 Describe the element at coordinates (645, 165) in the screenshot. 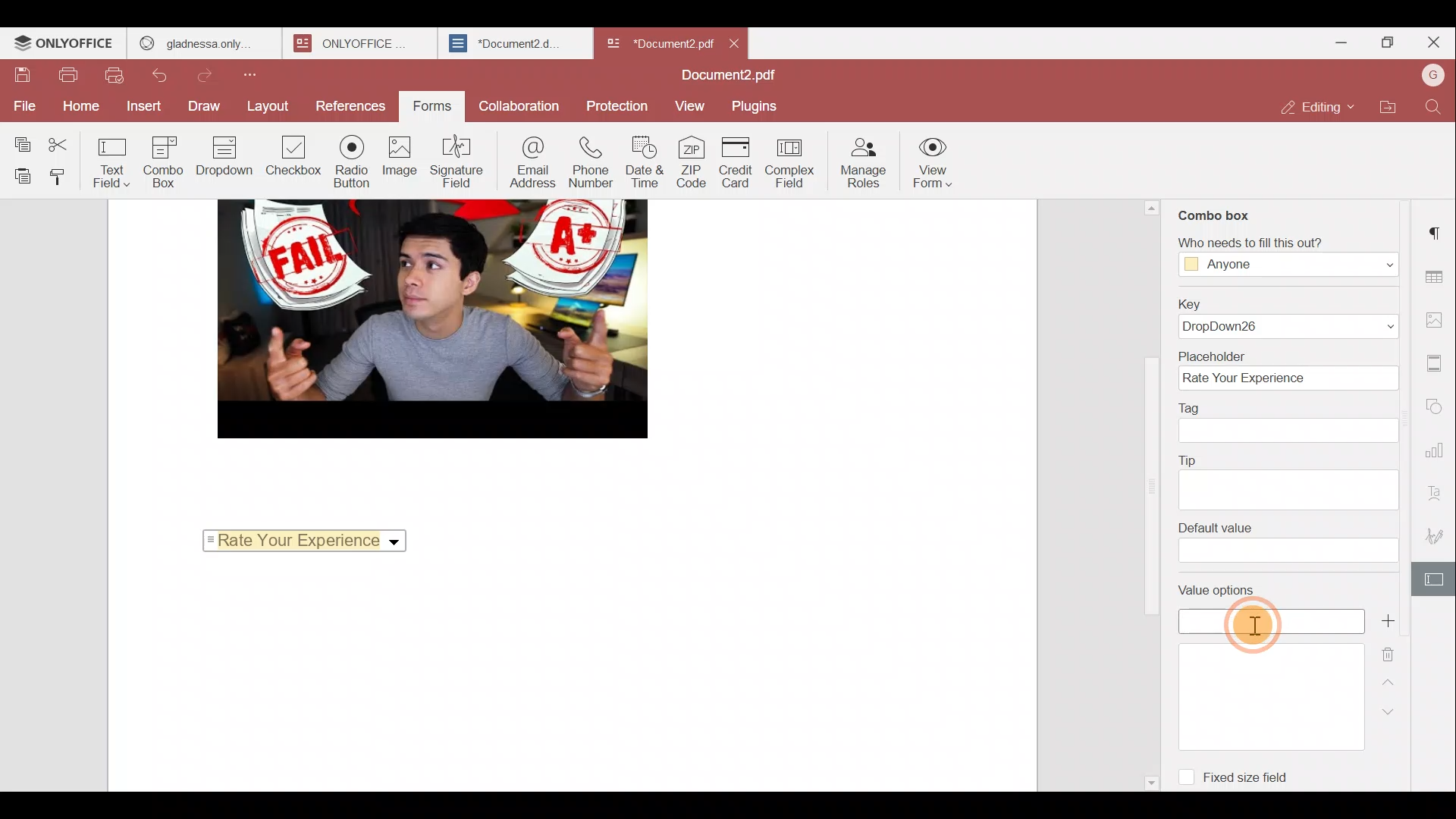

I see `Date & time` at that location.